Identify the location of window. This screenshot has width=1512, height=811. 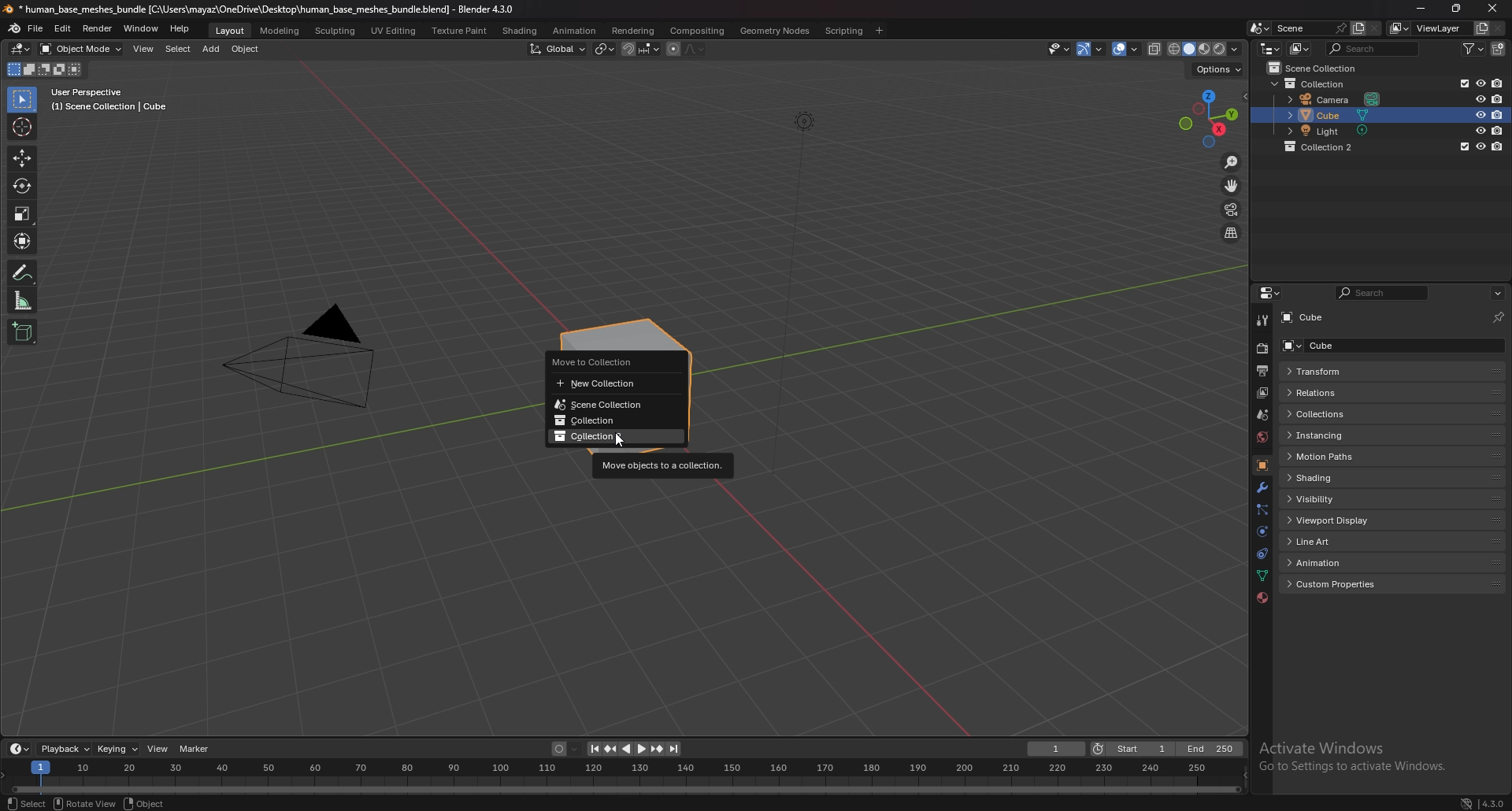
(142, 29).